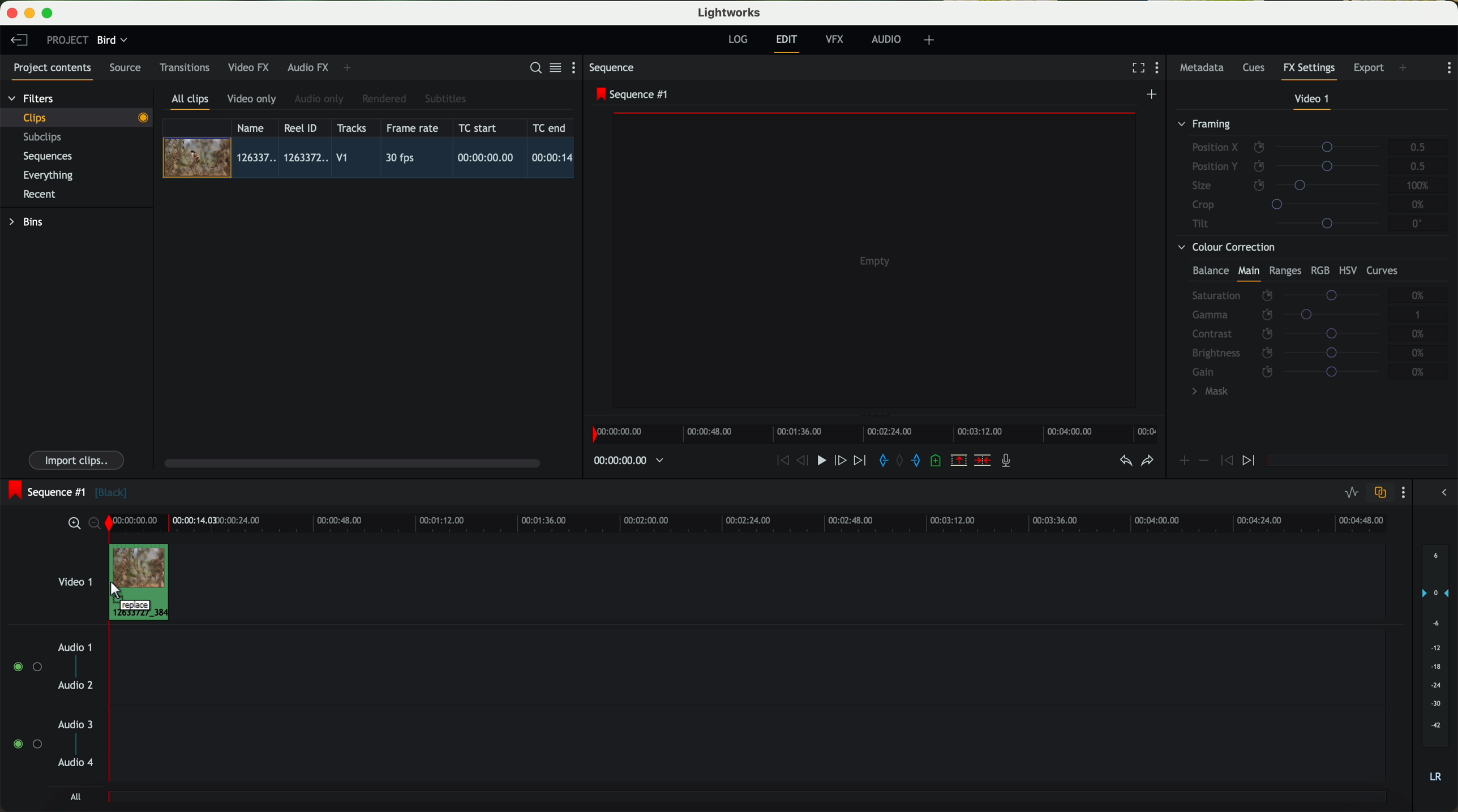 The width and height of the screenshot is (1458, 812). I want to click on 0%, so click(1420, 205).